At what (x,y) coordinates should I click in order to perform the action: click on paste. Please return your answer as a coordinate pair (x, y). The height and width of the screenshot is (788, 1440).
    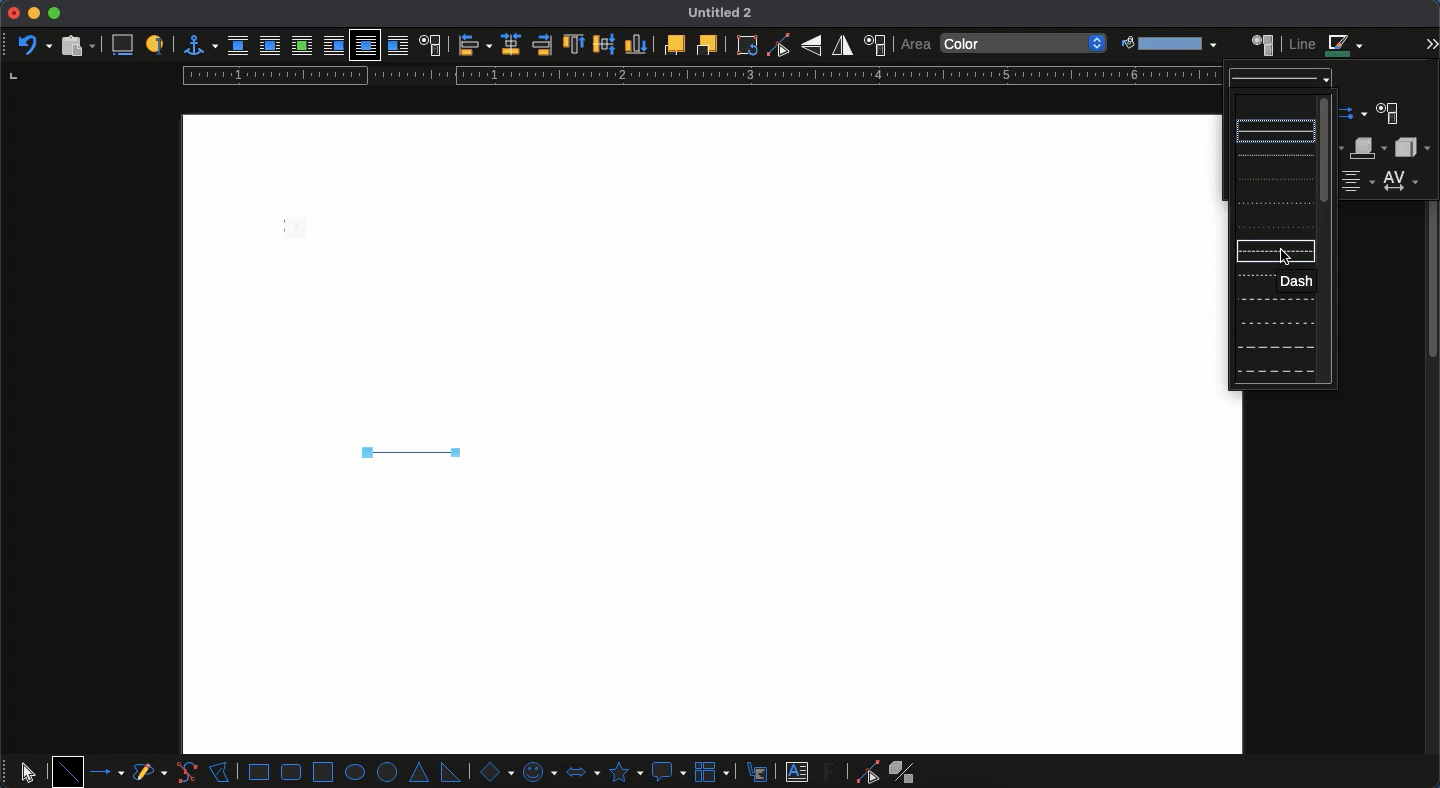
    Looking at the image, I should click on (76, 45).